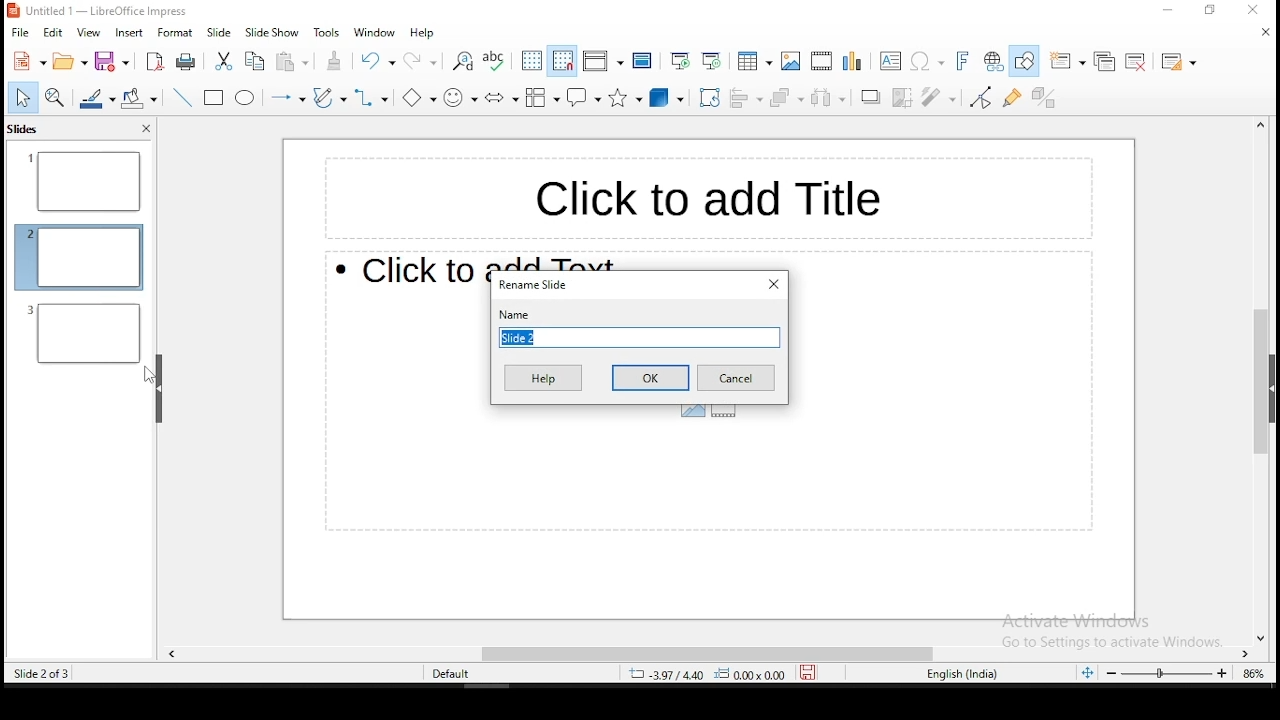 This screenshot has width=1280, height=720. I want to click on file, so click(21, 32).